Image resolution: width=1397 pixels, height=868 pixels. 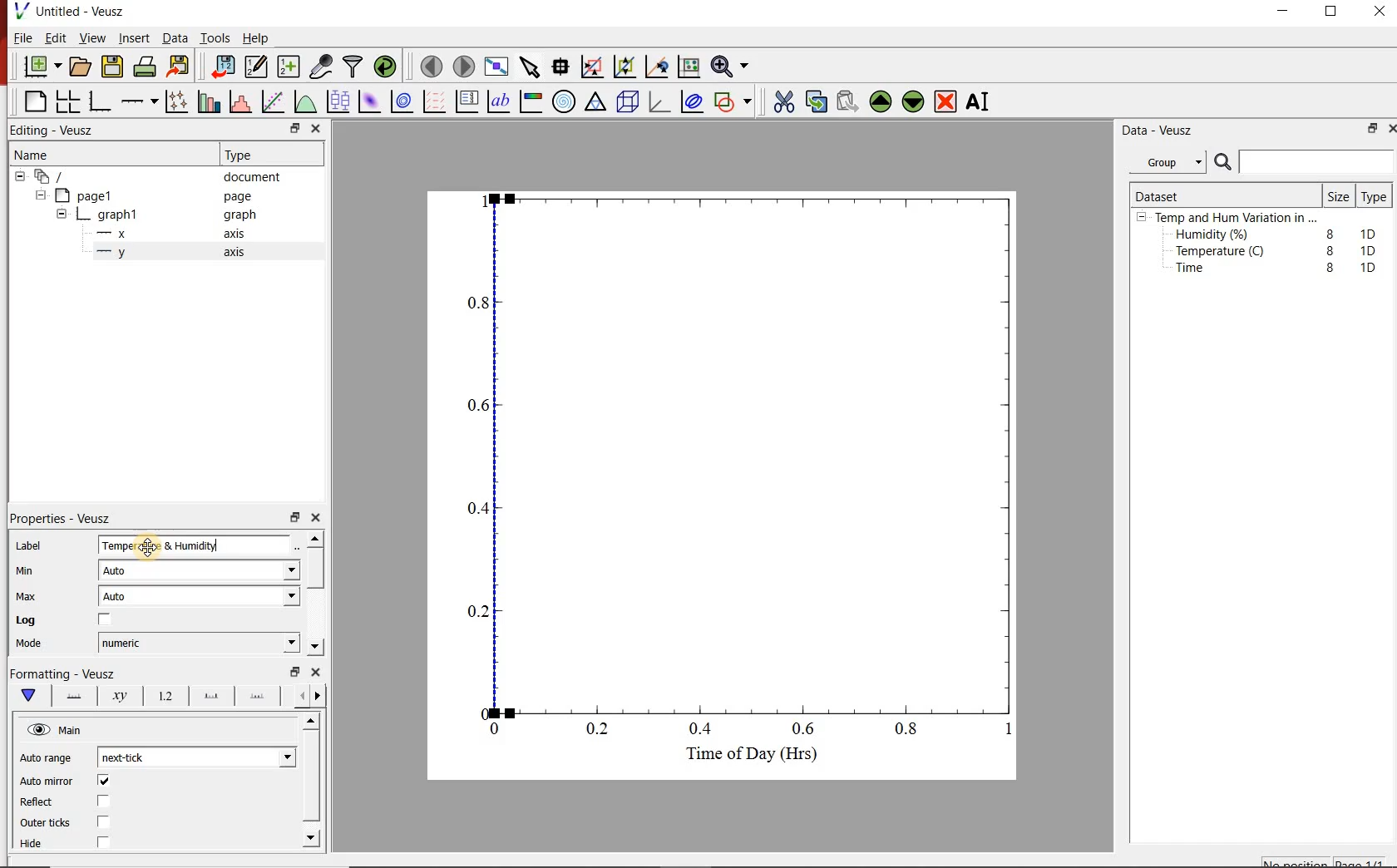 What do you see at coordinates (597, 104) in the screenshot?
I see `ternary graph` at bounding box center [597, 104].